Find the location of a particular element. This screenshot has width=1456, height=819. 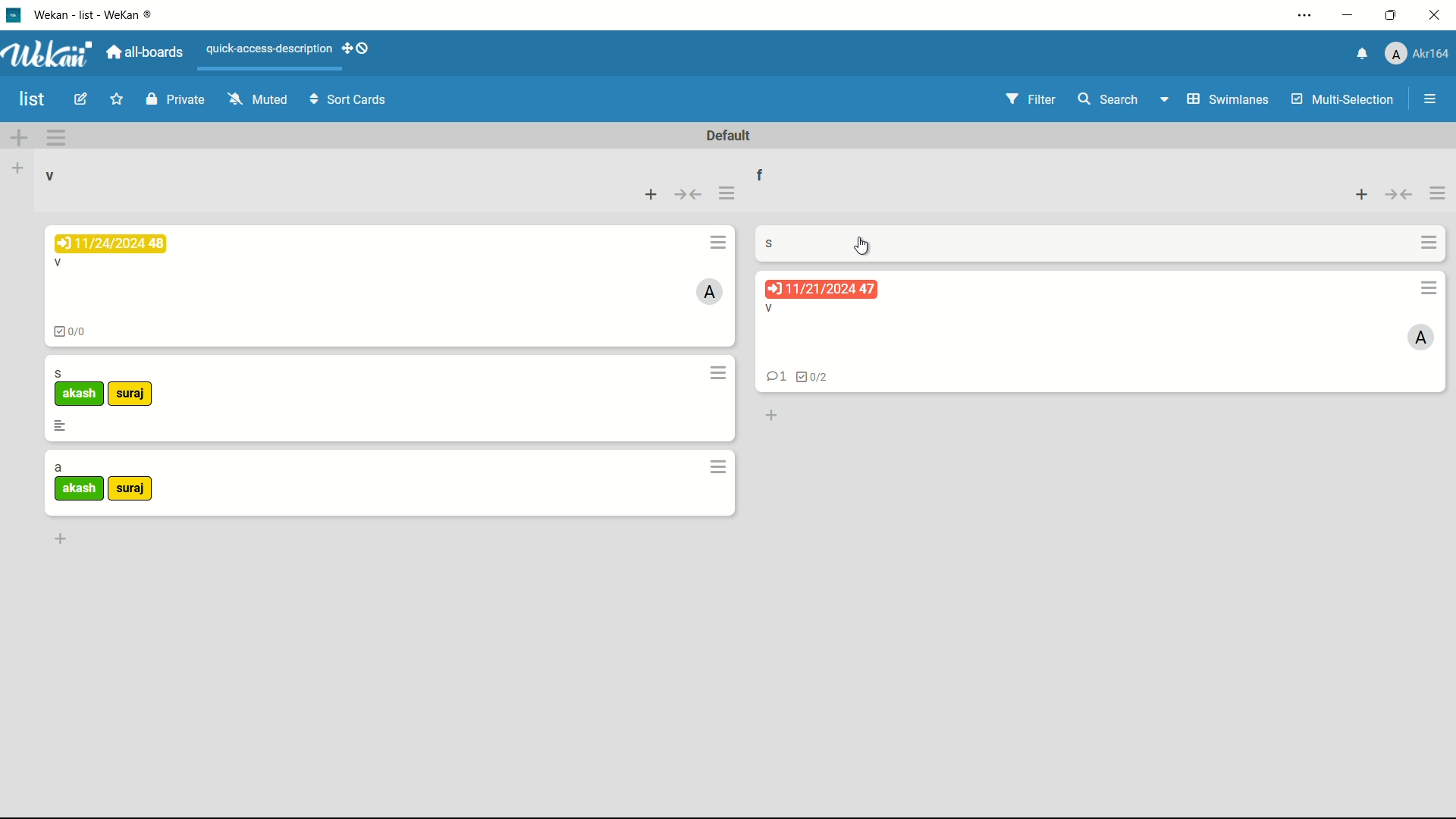

add card top of list is located at coordinates (1363, 196).